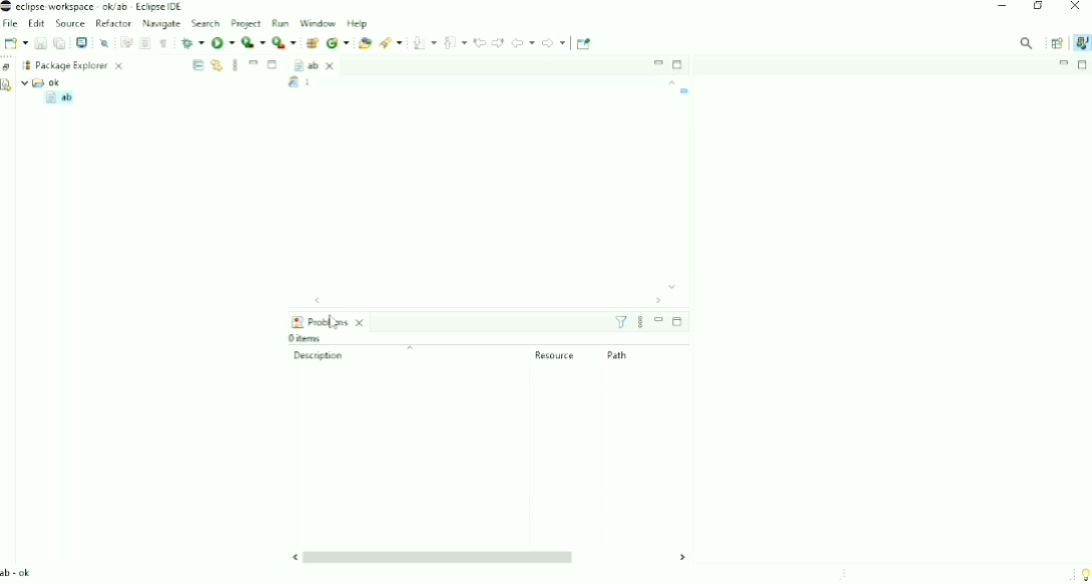  What do you see at coordinates (104, 42) in the screenshot?
I see `Skip All Breakpoints` at bounding box center [104, 42].